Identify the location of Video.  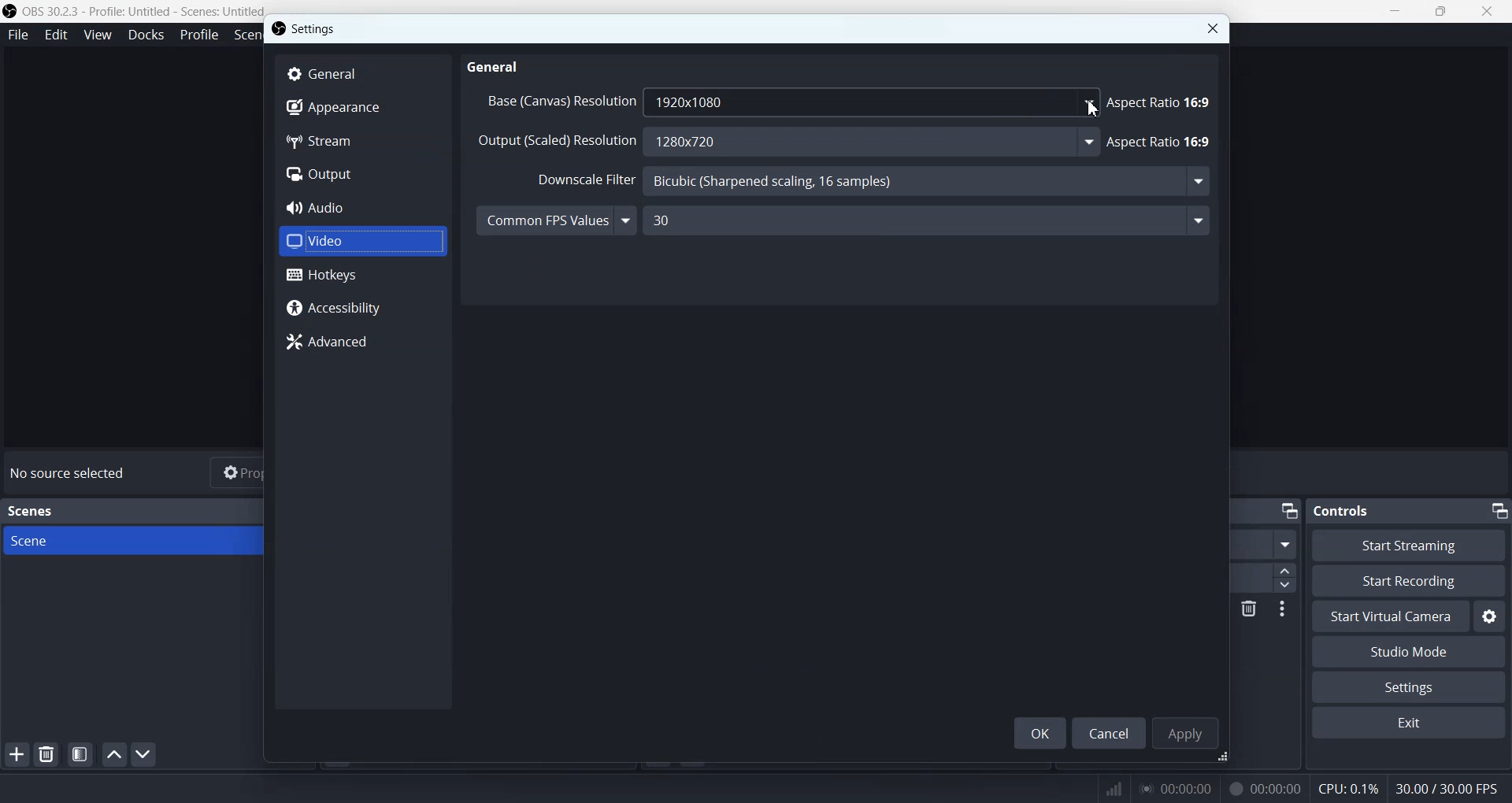
(361, 242).